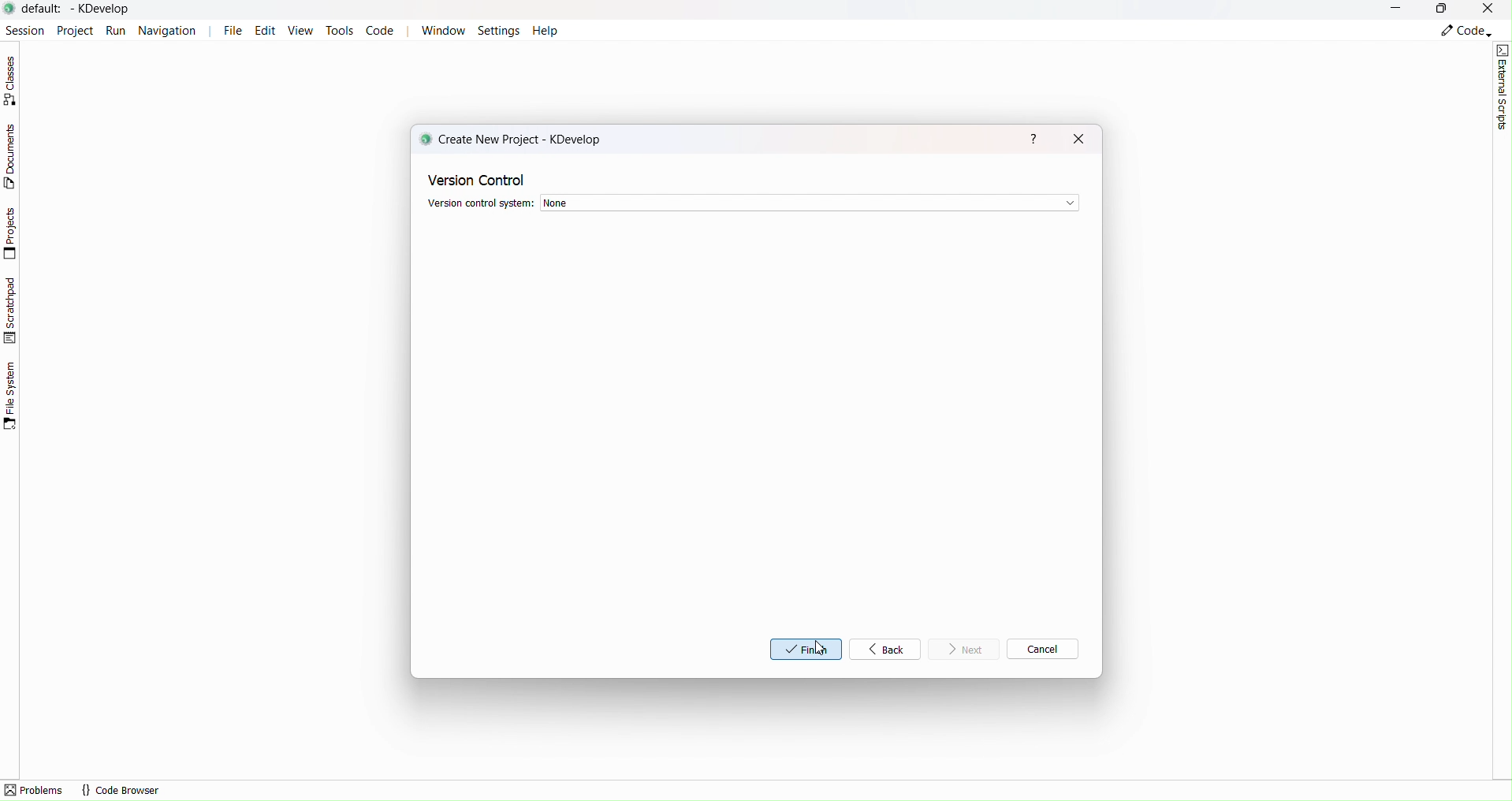  Describe the element at coordinates (74, 29) in the screenshot. I see `Project` at that location.